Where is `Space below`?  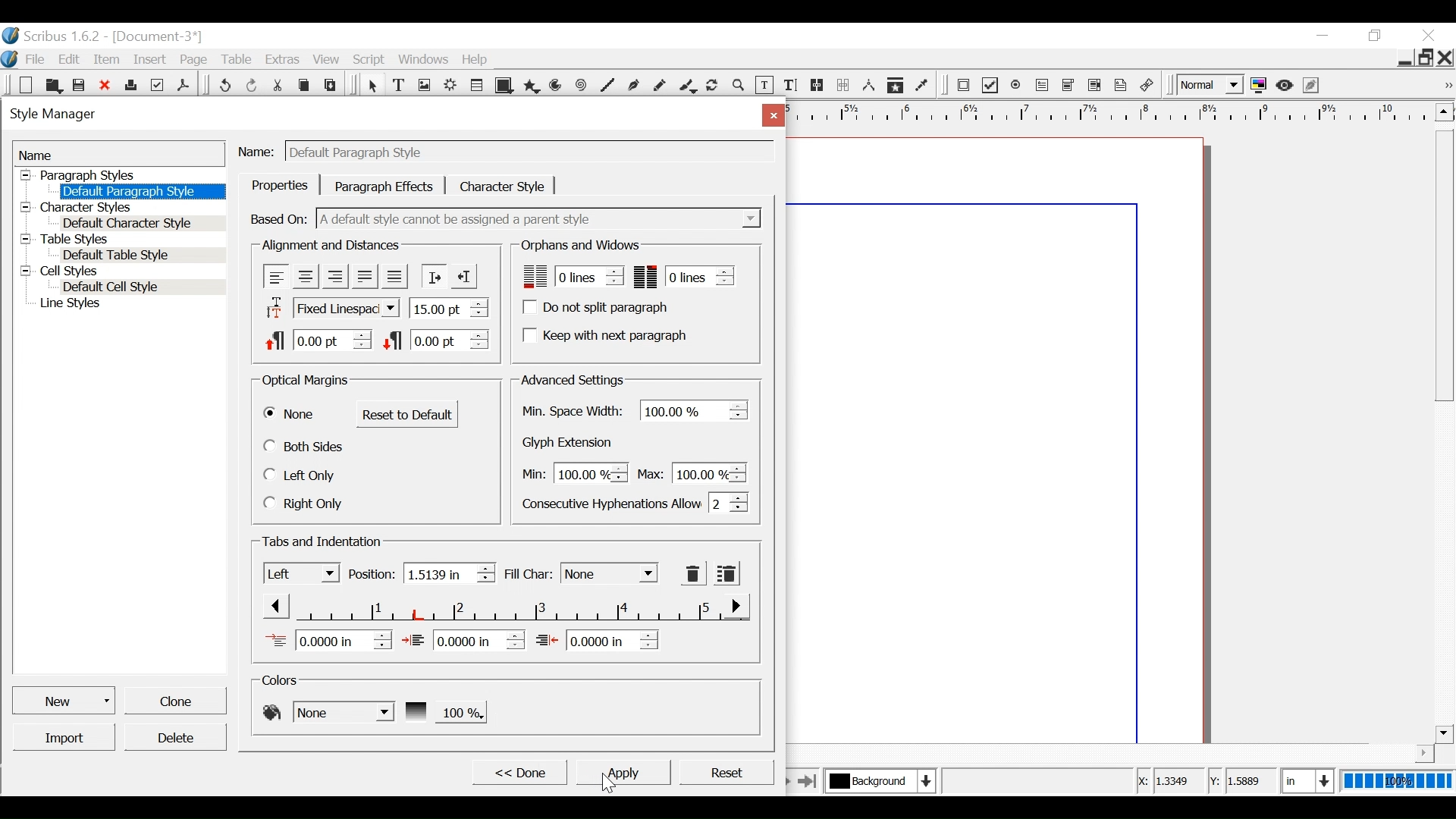 Space below is located at coordinates (435, 339).